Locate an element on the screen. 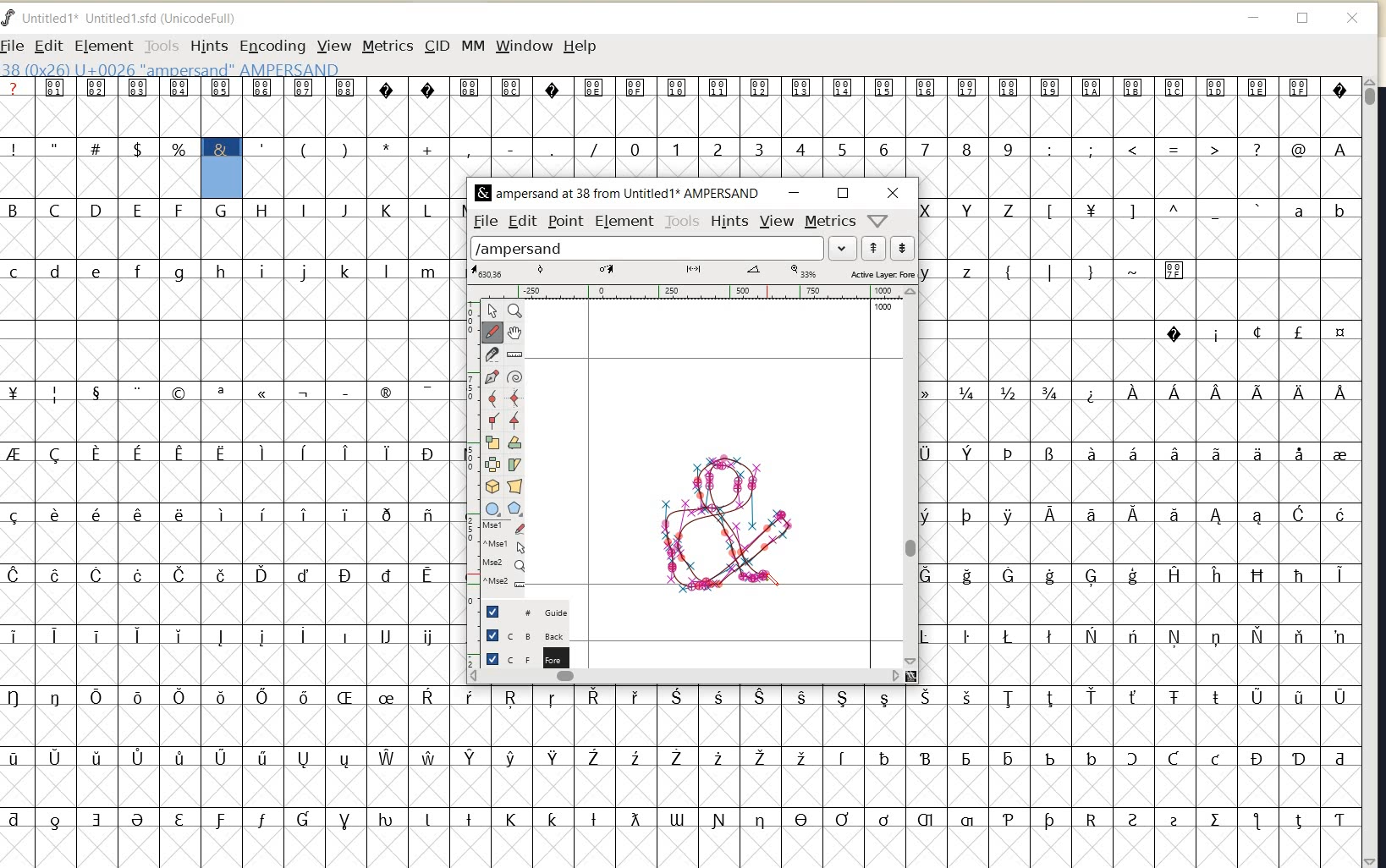 The width and height of the screenshot is (1386, 868). SCROLLBAR is located at coordinates (686, 678).